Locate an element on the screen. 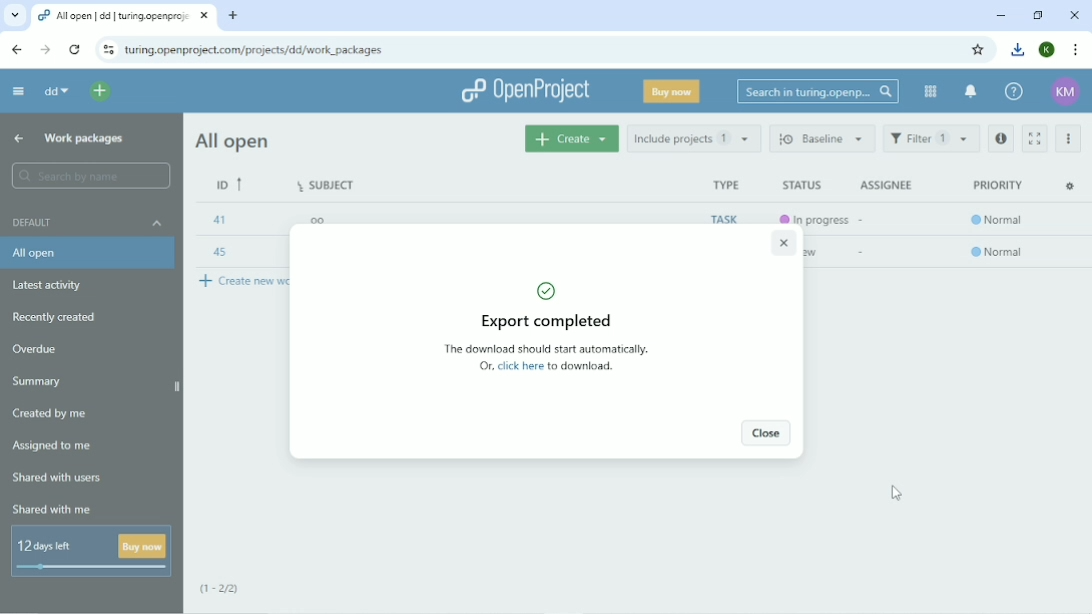  Baseline is located at coordinates (821, 138).